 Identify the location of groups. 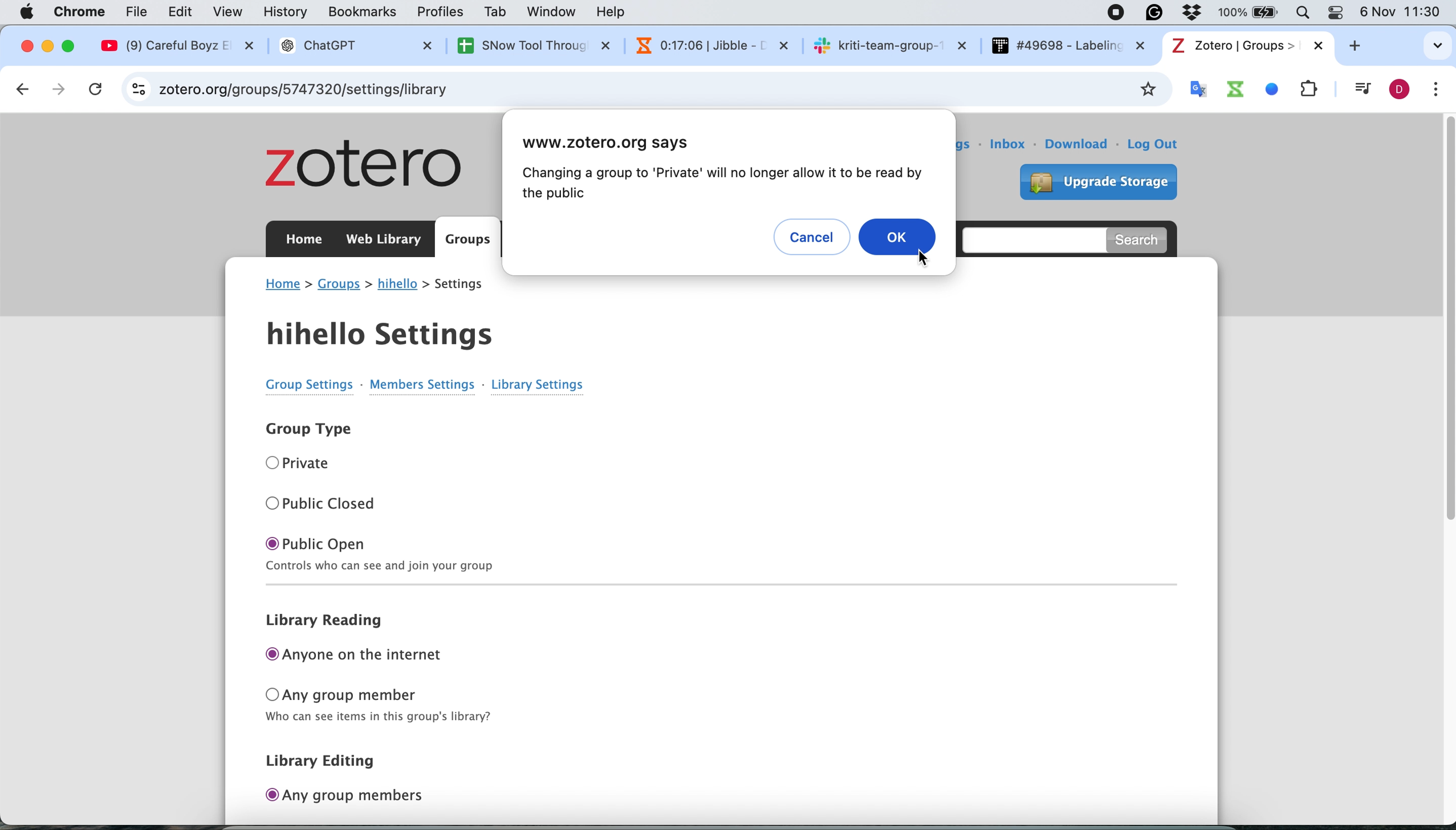
(468, 240).